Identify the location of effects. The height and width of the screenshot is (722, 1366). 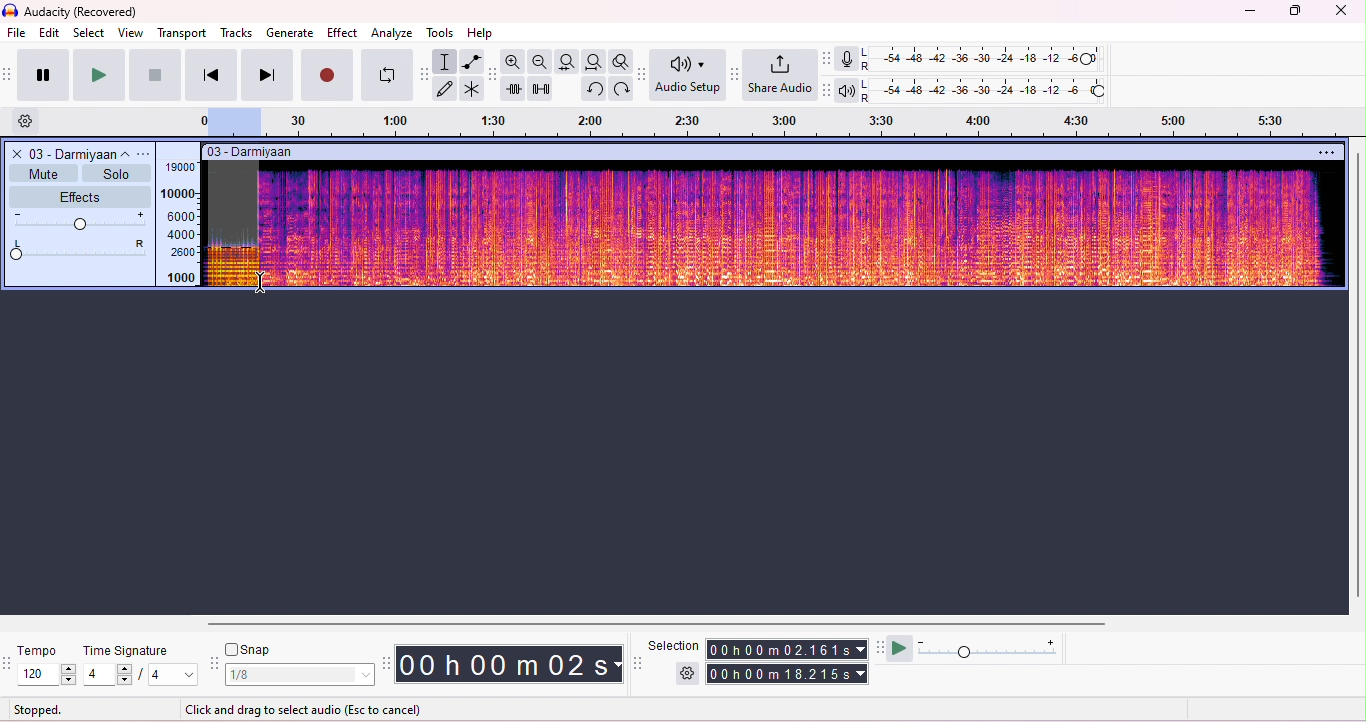
(79, 195).